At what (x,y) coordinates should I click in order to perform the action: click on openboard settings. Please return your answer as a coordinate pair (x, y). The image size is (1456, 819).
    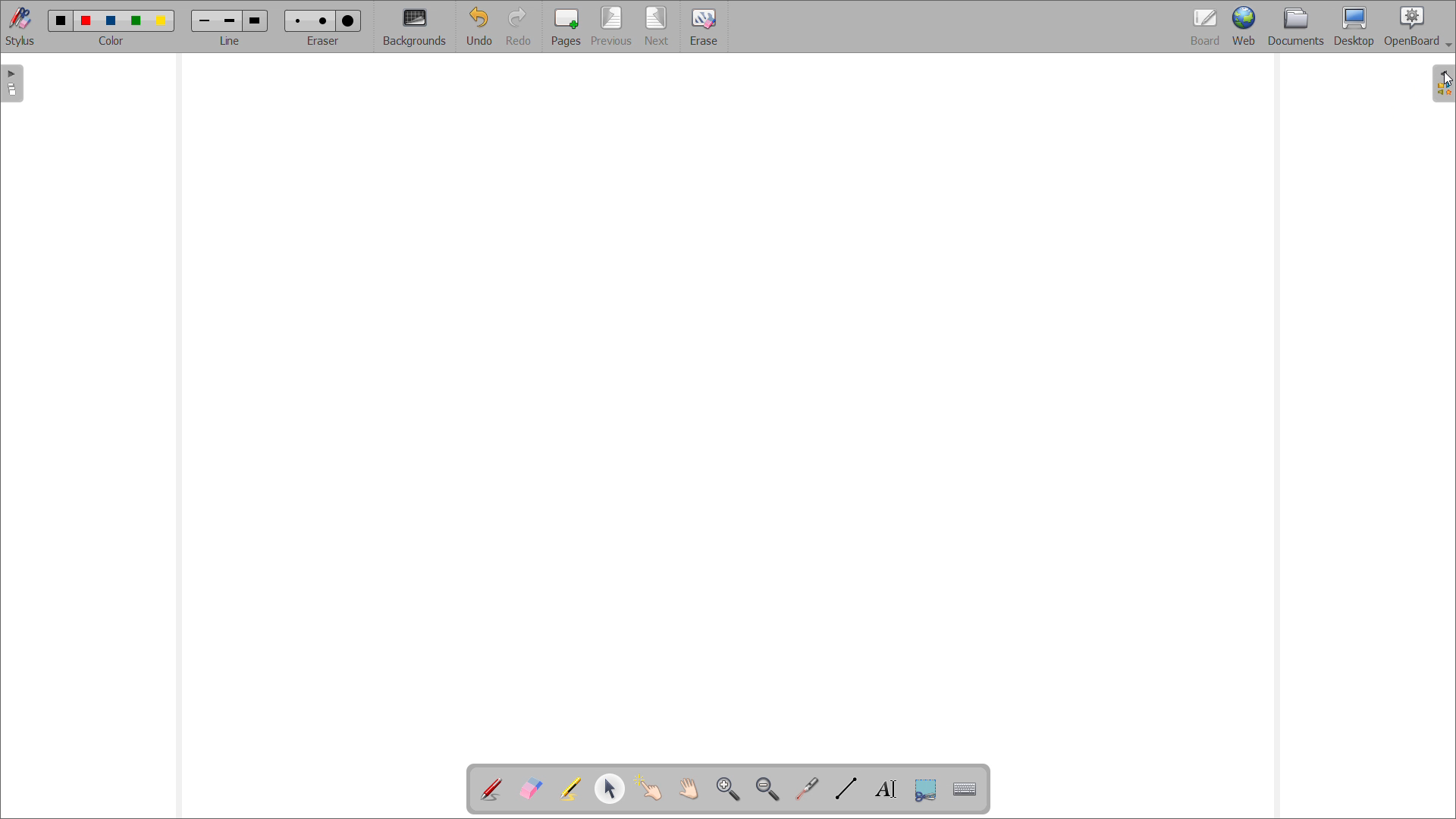
    Looking at the image, I should click on (1417, 27).